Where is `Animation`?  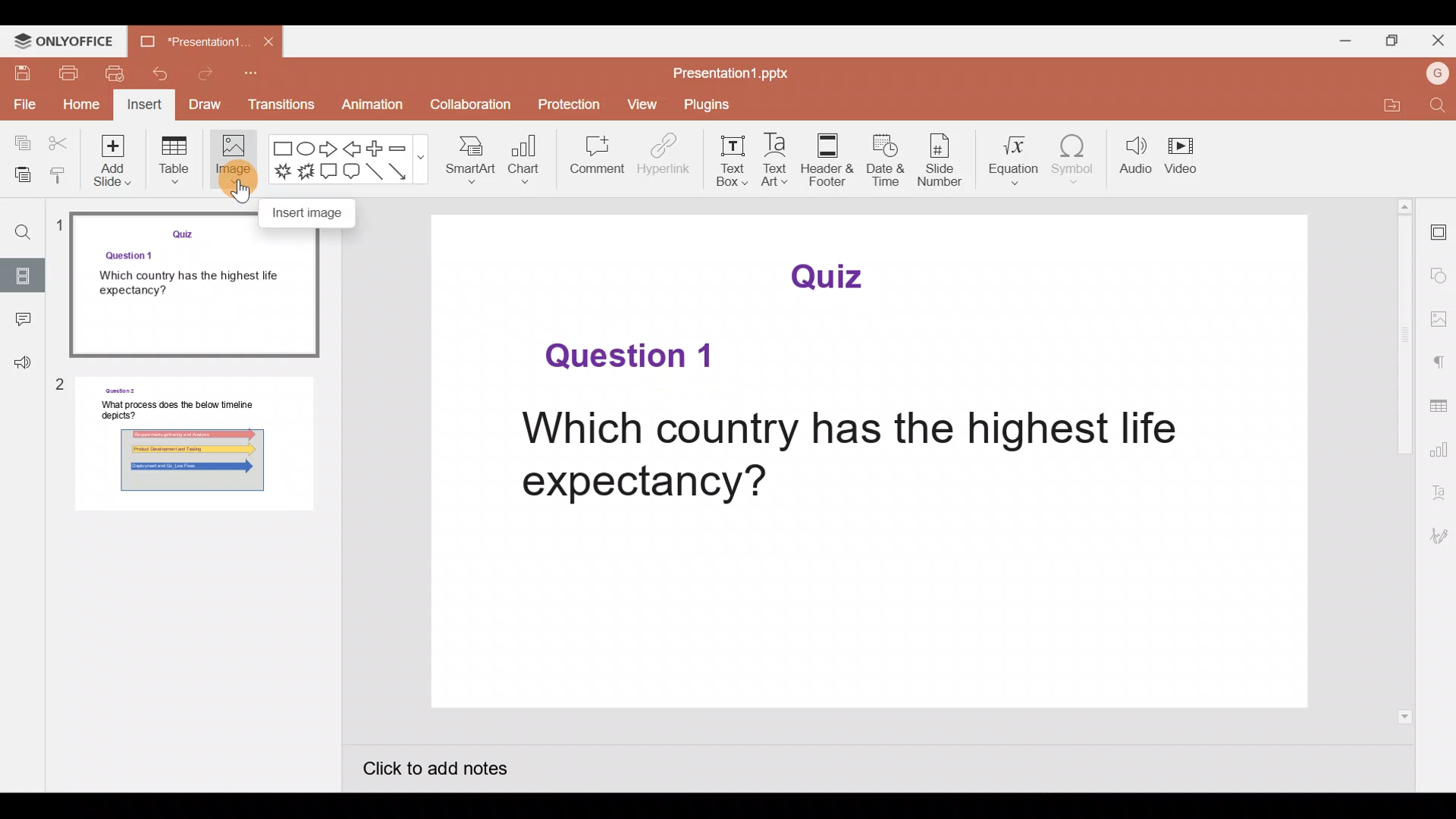 Animation is located at coordinates (365, 103).